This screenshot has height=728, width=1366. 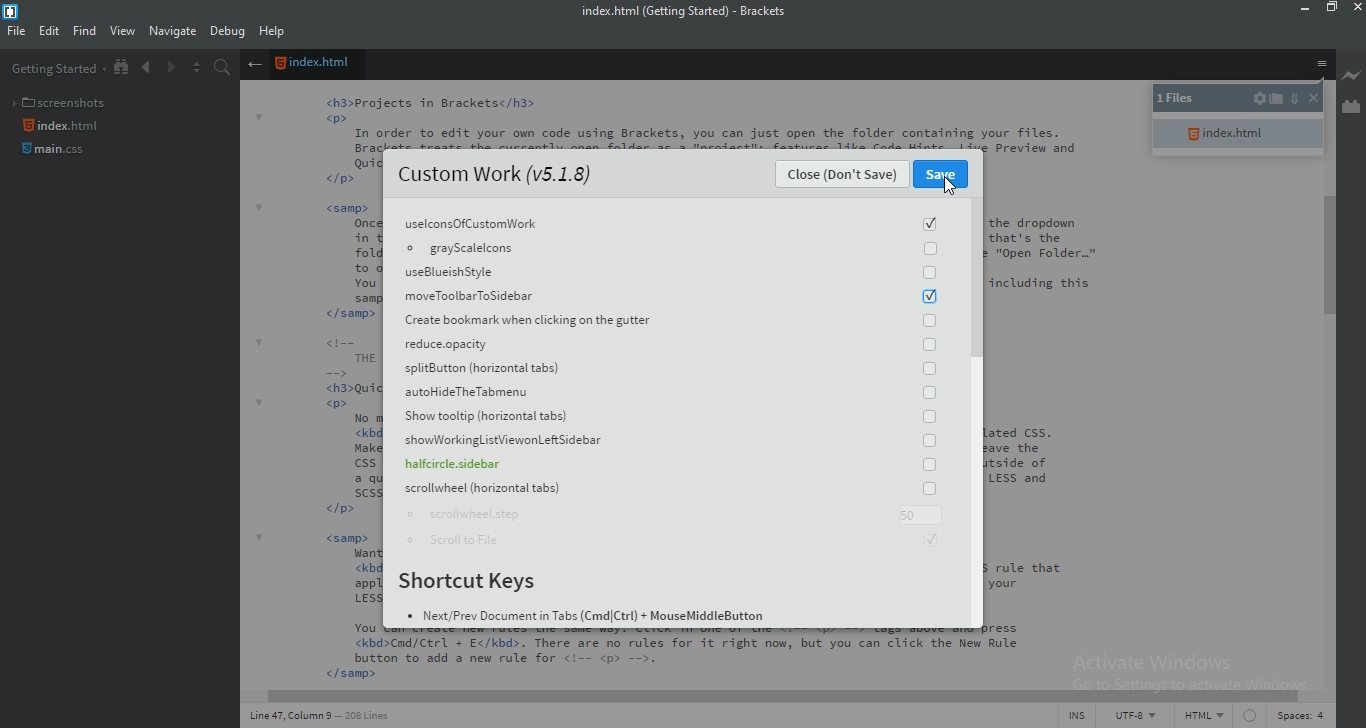 What do you see at coordinates (333, 718) in the screenshot?
I see `live code data` at bounding box center [333, 718].